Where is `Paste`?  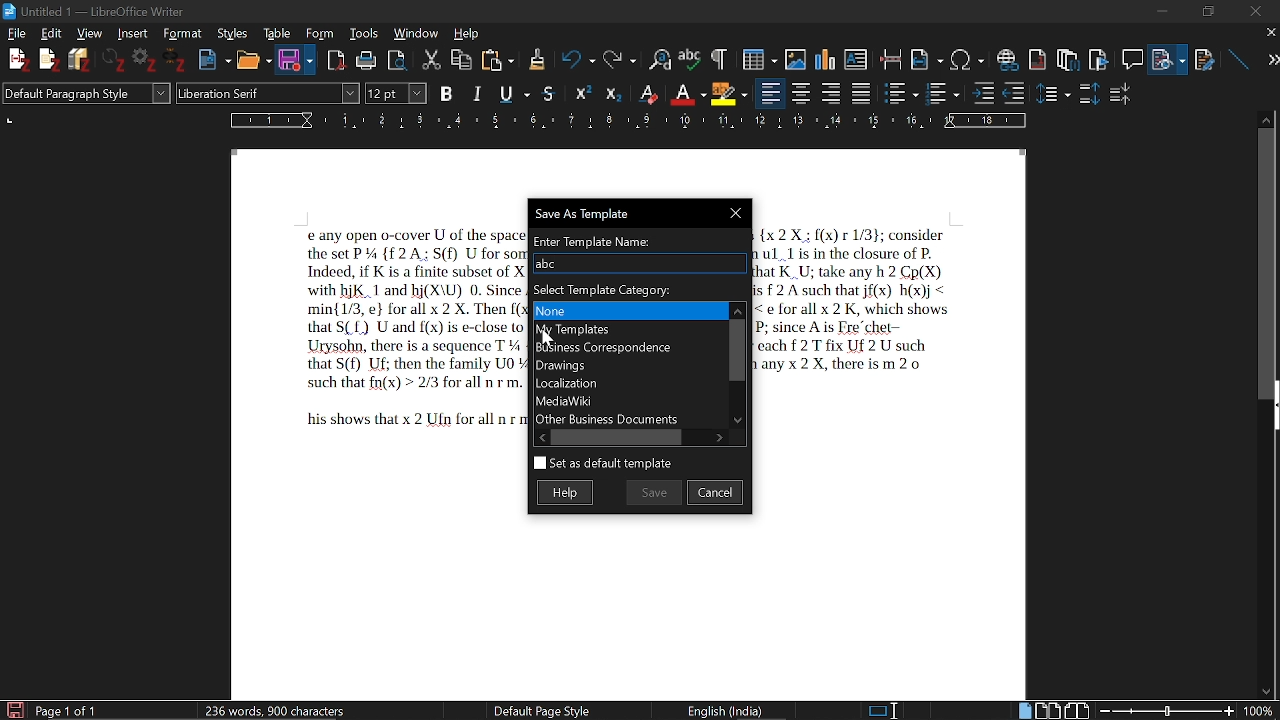 Paste is located at coordinates (499, 59).